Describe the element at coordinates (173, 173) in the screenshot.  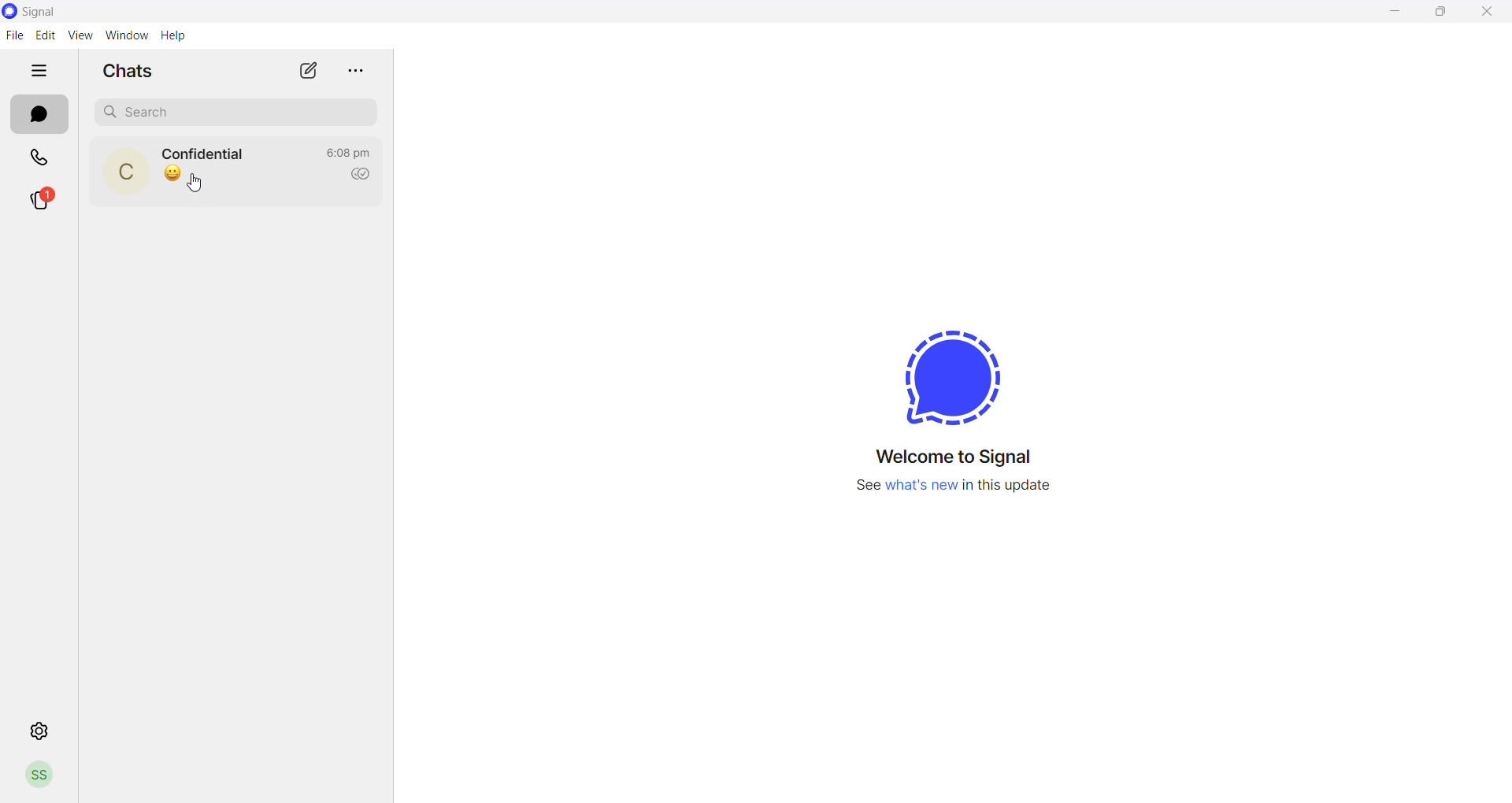
I see `last message` at that location.